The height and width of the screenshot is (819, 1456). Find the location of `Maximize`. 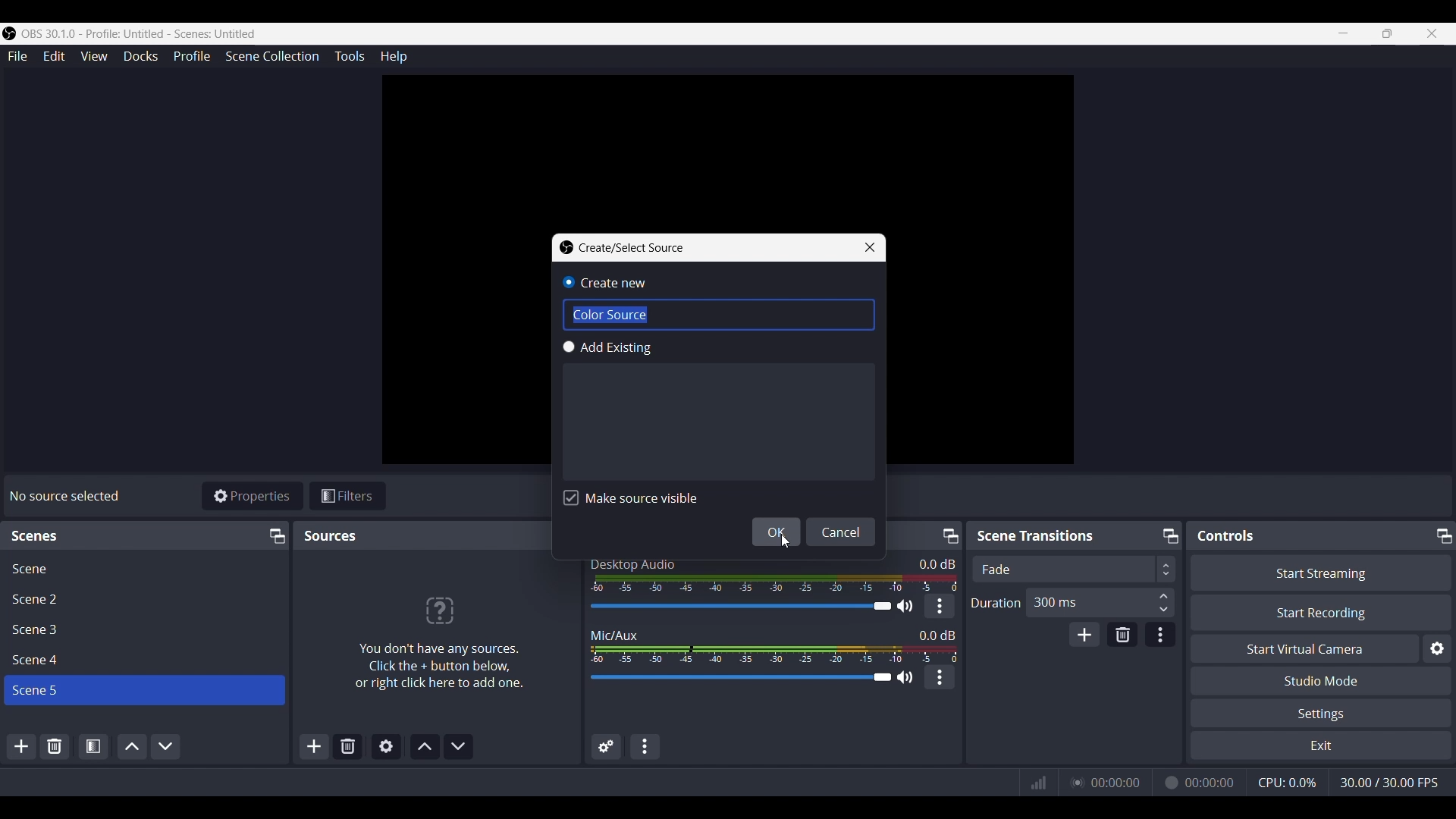

Maximize is located at coordinates (949, 533).